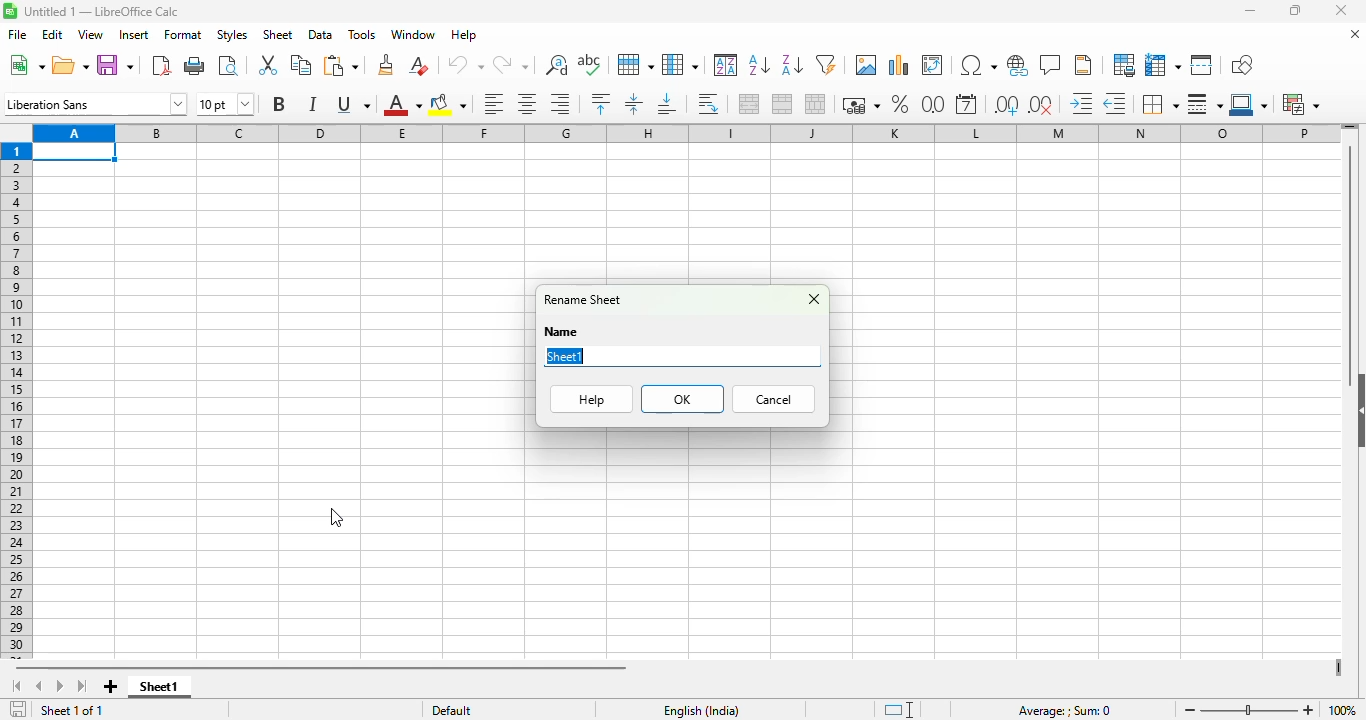 This screenshot has height=720, width=1366. What do you see at coordinates (1248, 11) in the screenshot?
I see `minimize` at bounding box center [1248, 11].